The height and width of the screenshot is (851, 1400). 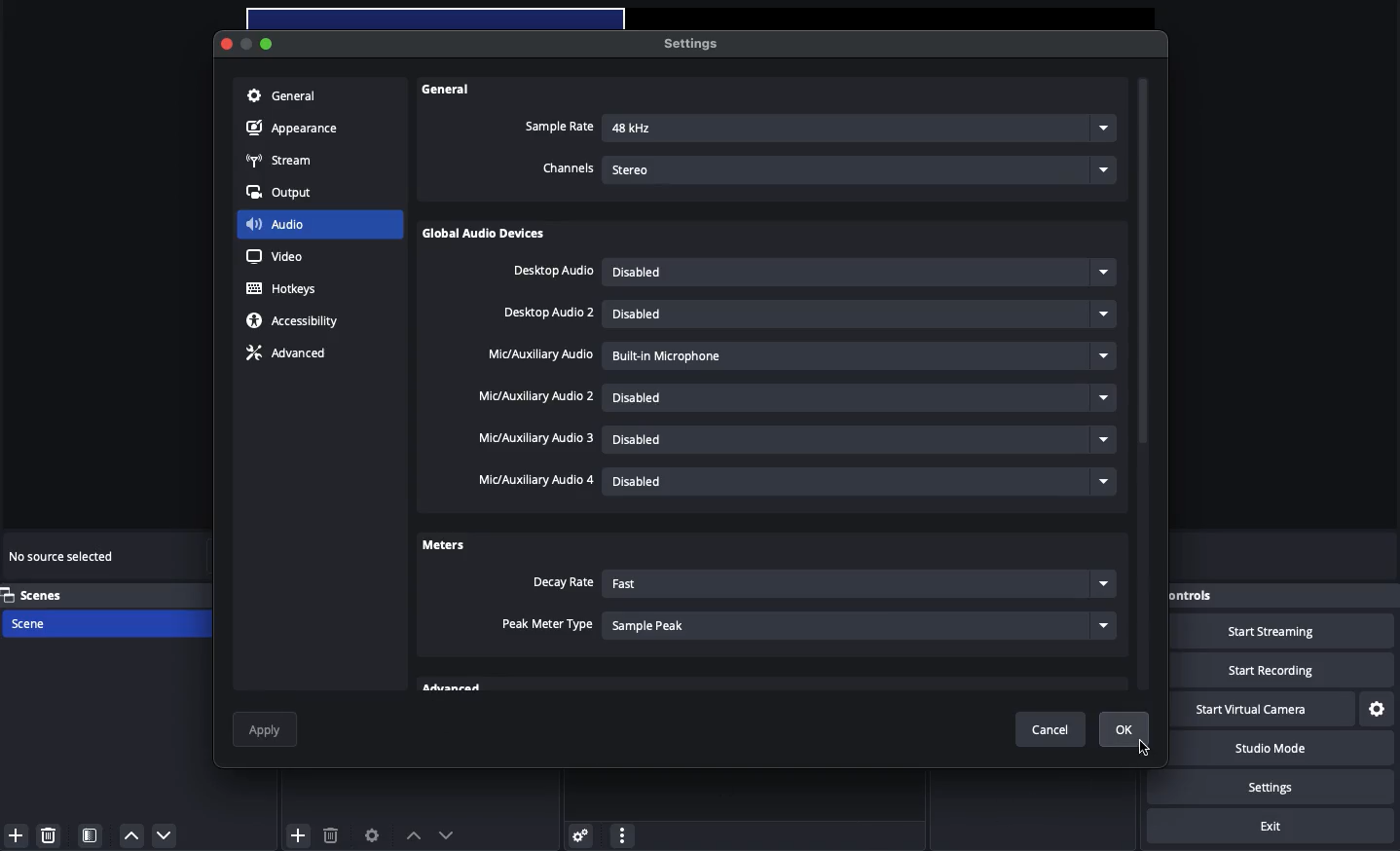 What do you see at coordinates (559, 127) in the screenshot?
I see `Sample rate` at bounding box center [559, 127].